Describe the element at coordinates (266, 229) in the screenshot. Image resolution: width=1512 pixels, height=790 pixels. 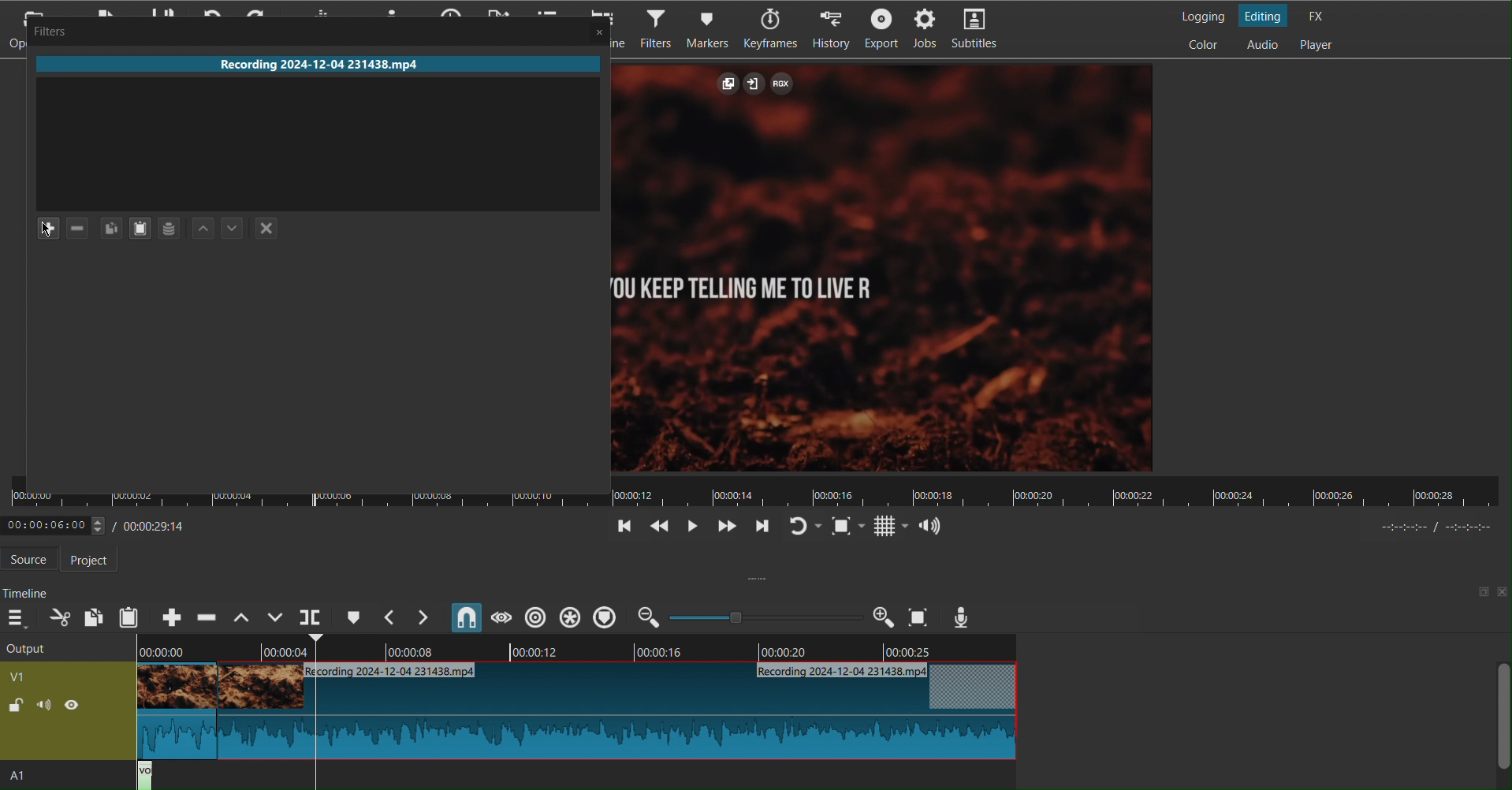
I see `Close` at that location.